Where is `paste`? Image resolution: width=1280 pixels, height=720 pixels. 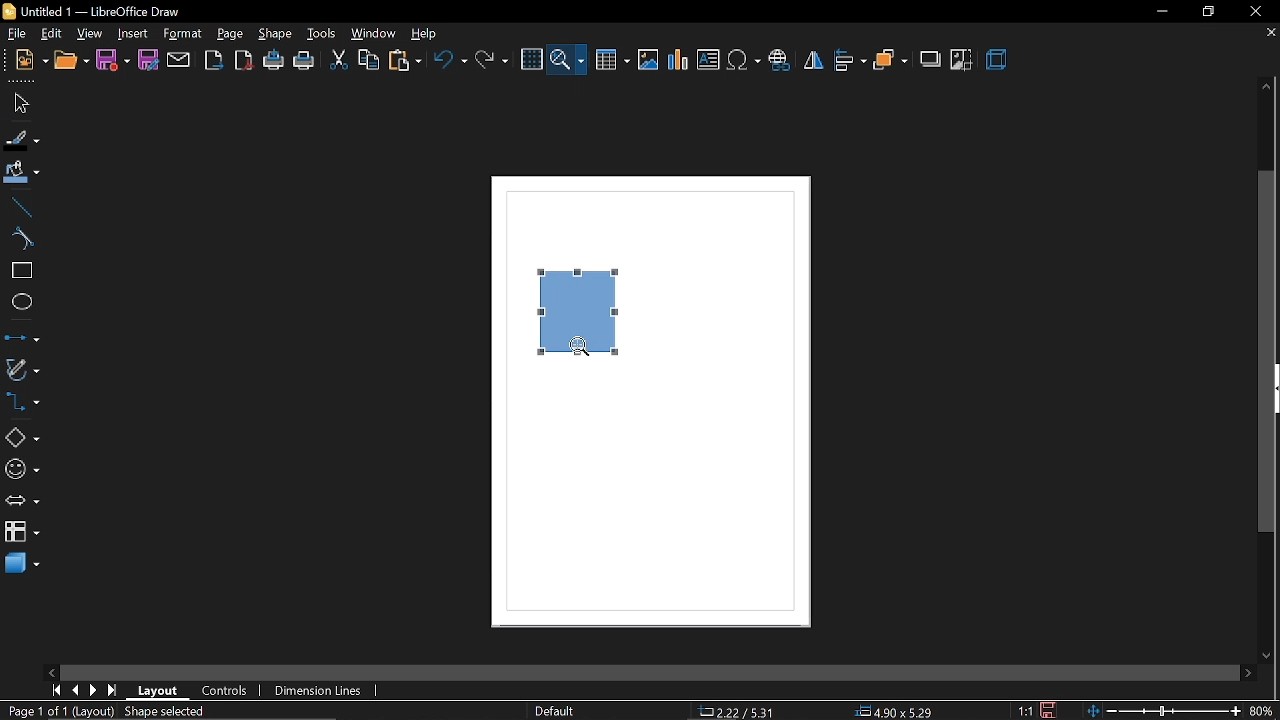 paste is located at coordinates (405, 61).